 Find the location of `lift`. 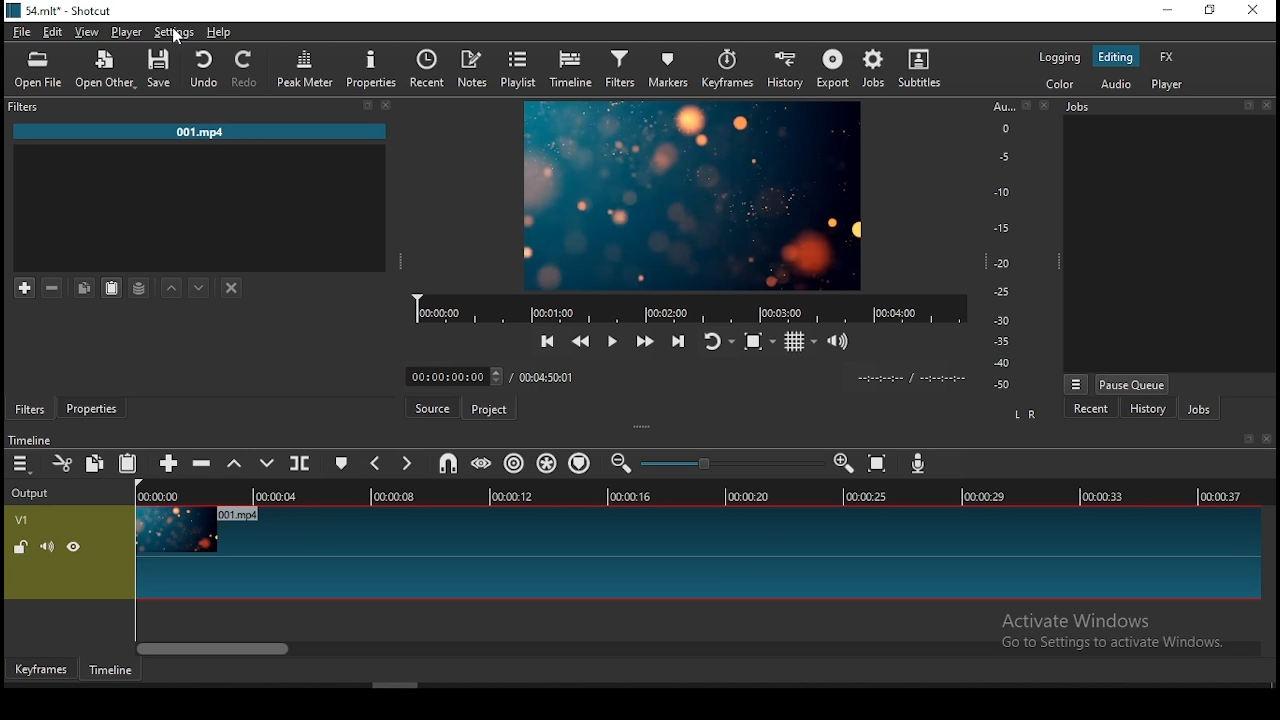

lift is located at coordinates (235, 464).